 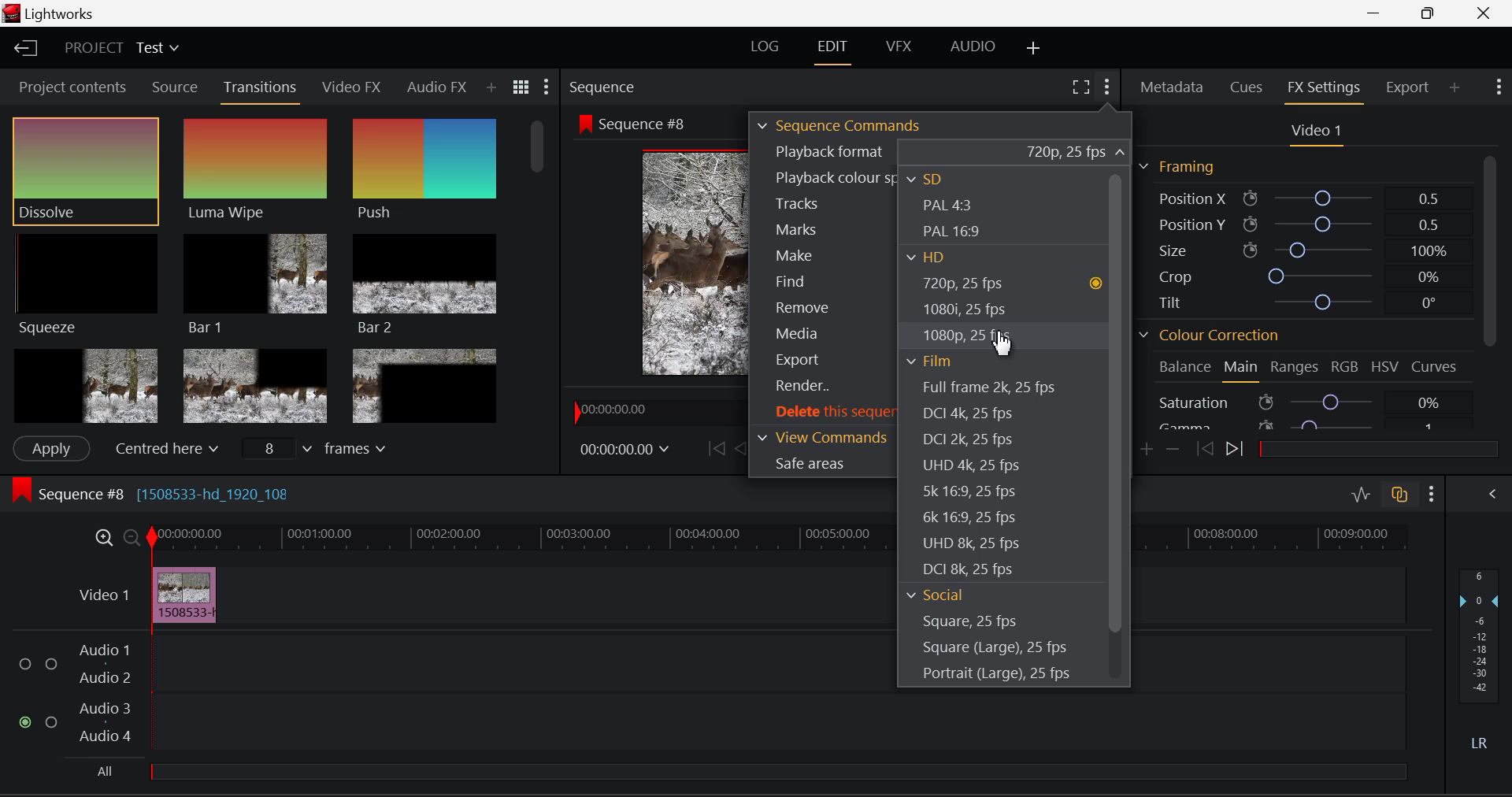 What do you see at coordinates (1173, 87) in the screenshot?
I see `Metadata` at bounding box center [1173, 87].